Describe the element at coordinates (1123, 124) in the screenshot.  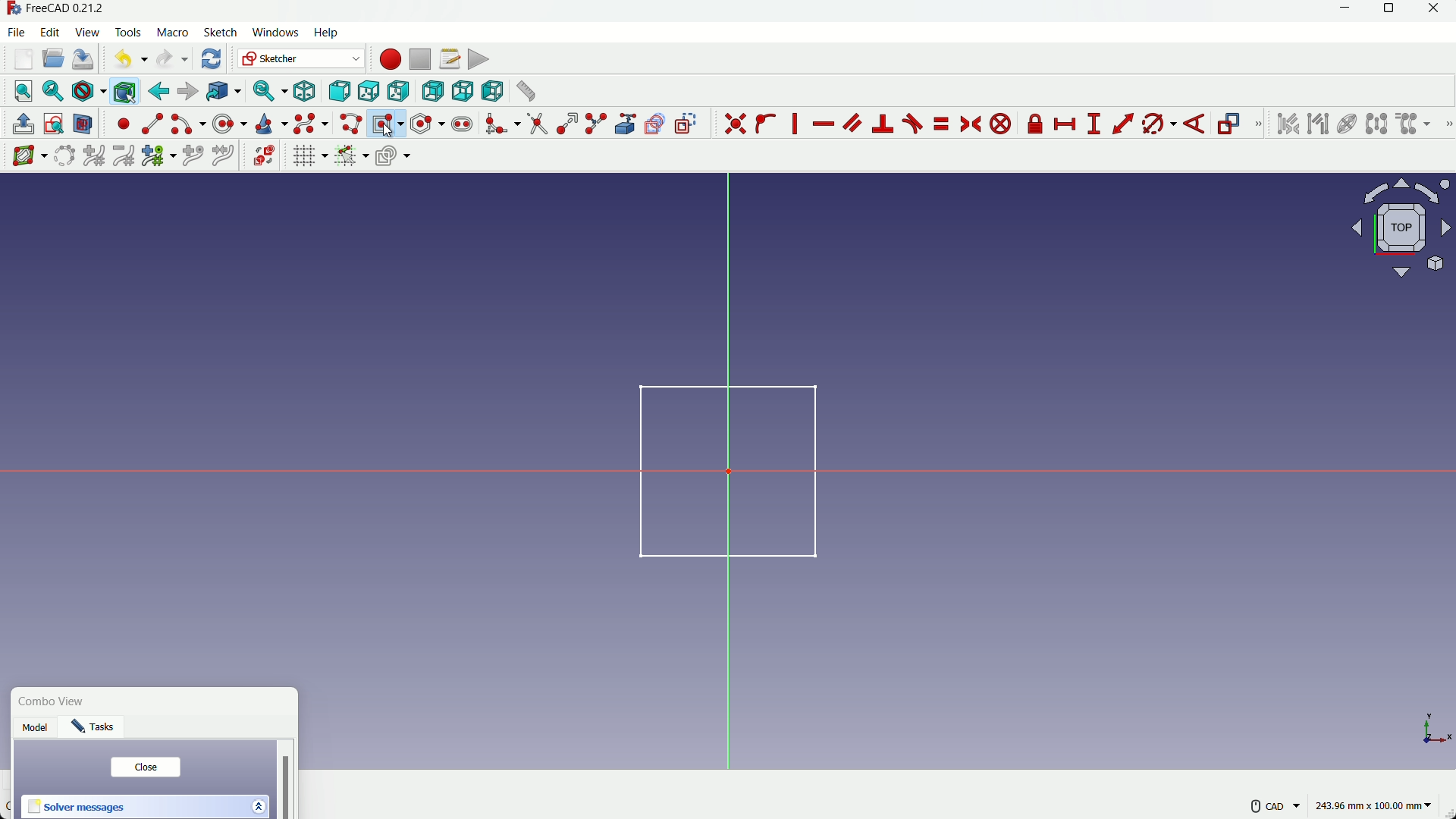
I see `constraint distance` at that location.